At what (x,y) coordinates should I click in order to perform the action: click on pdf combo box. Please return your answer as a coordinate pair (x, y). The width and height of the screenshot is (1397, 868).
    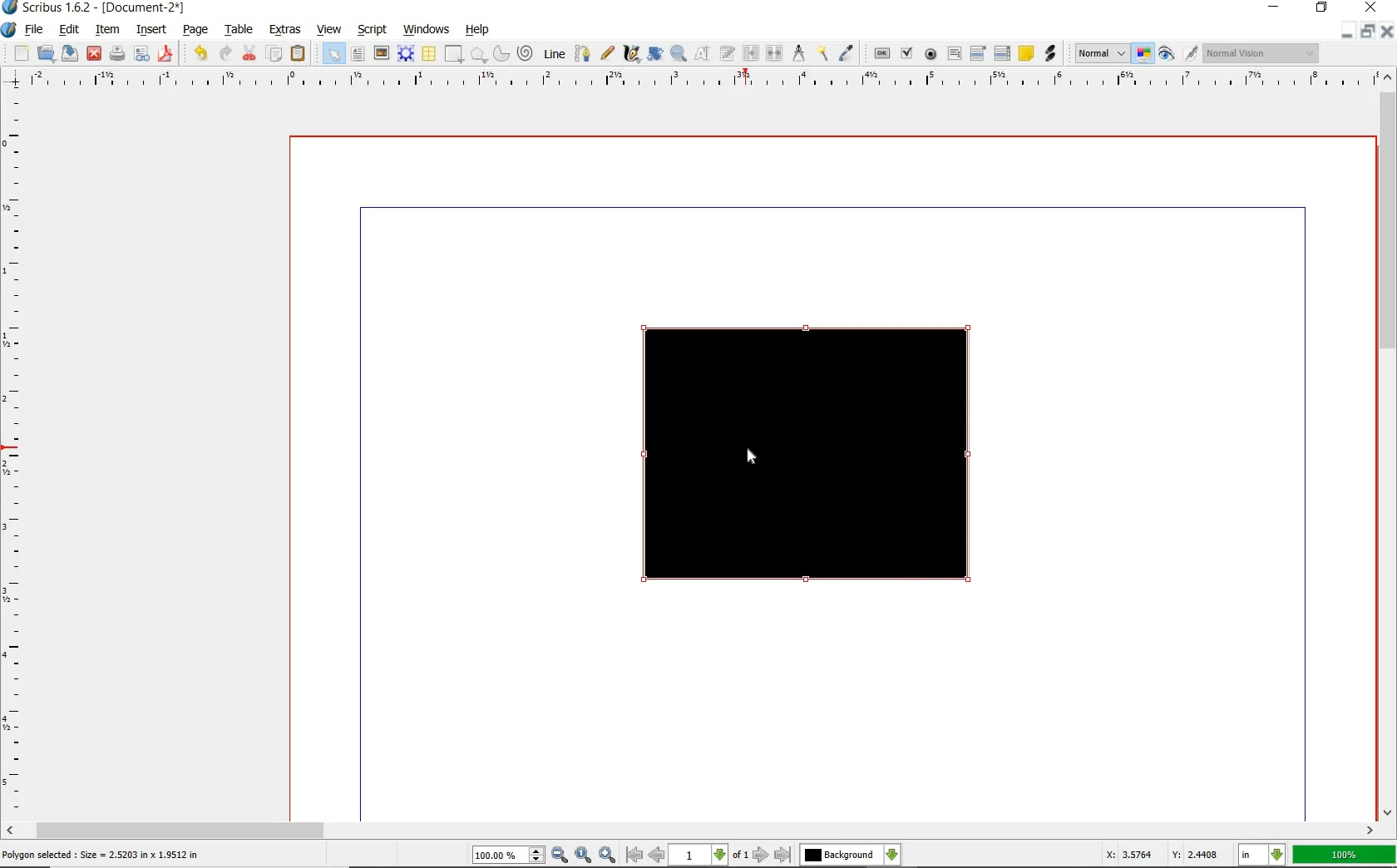
    Looking at the image, I should click on (978, 54).